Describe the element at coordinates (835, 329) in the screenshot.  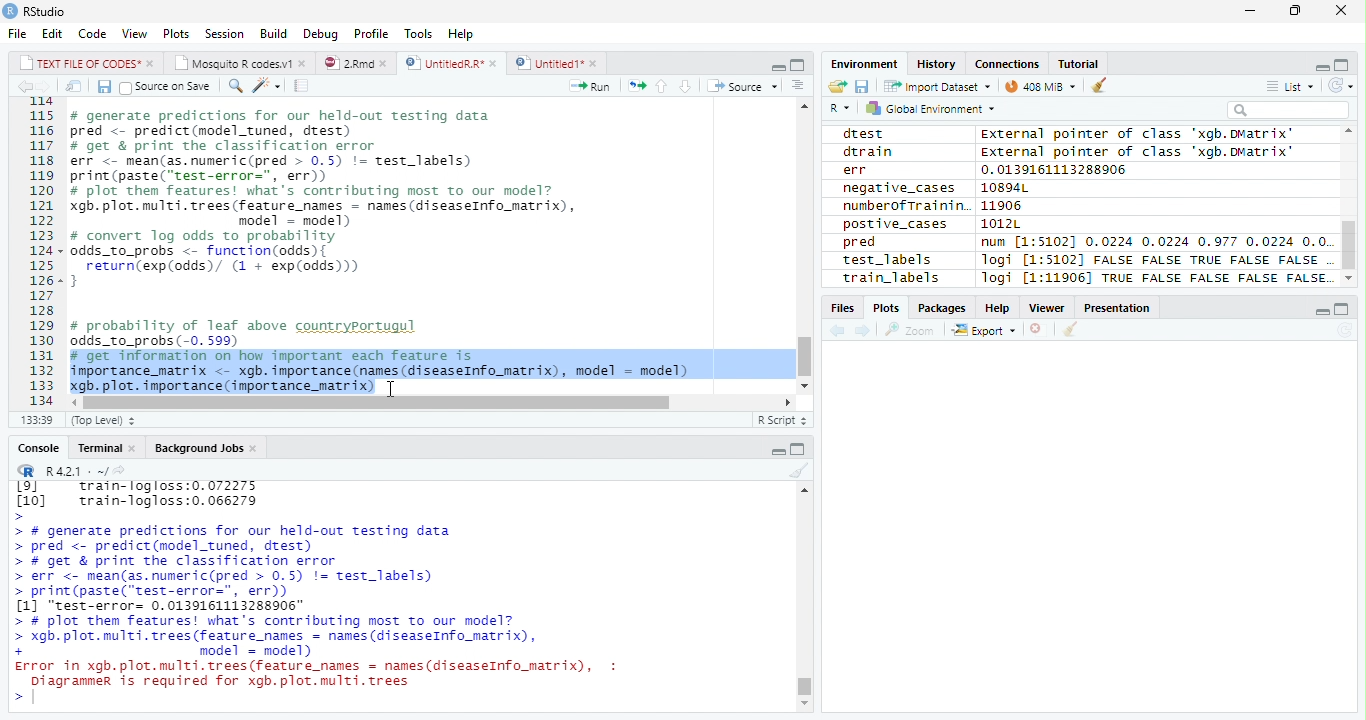
I see `Previous` at that location.